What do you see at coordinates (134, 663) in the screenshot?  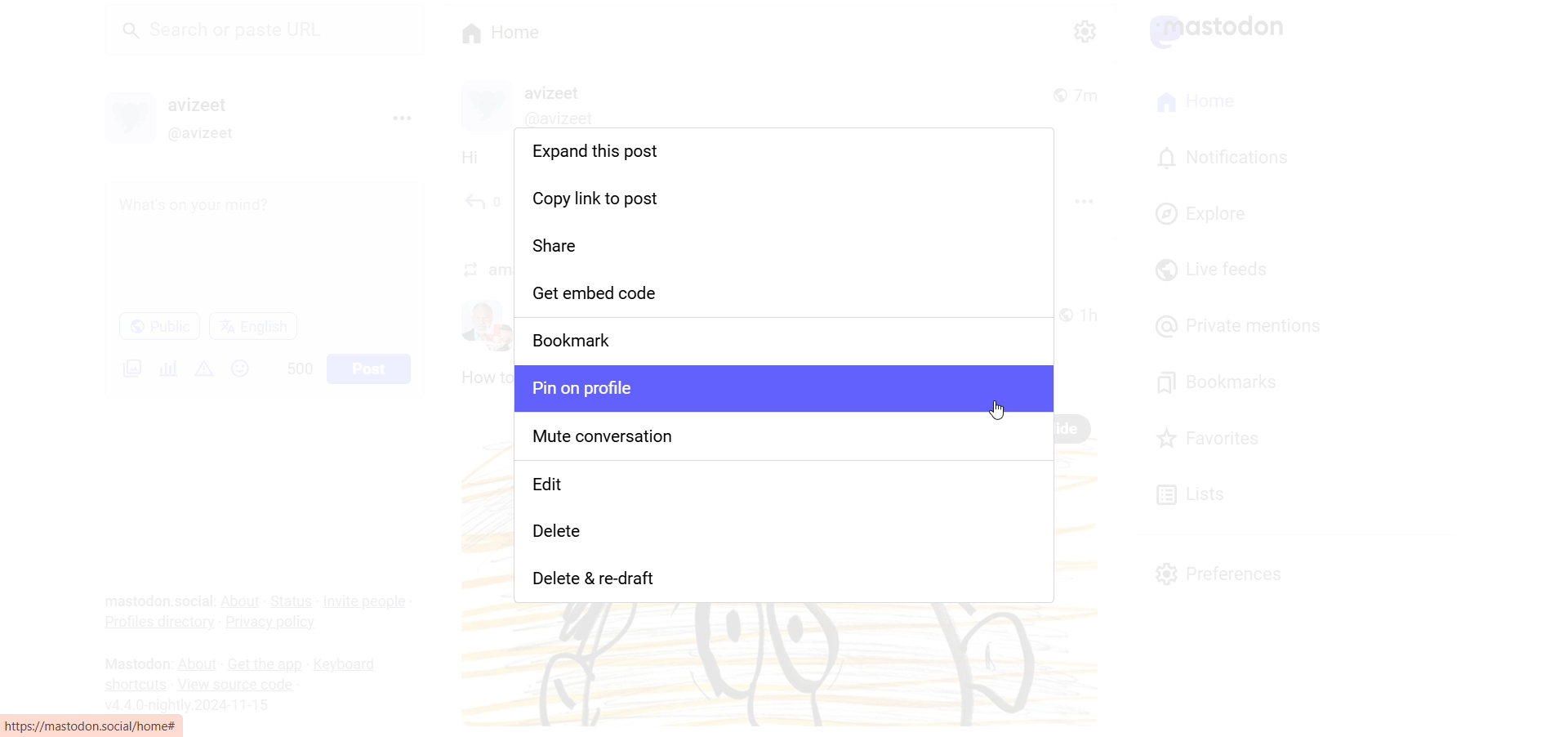 I see `Text` at bounding box center [134, 663].